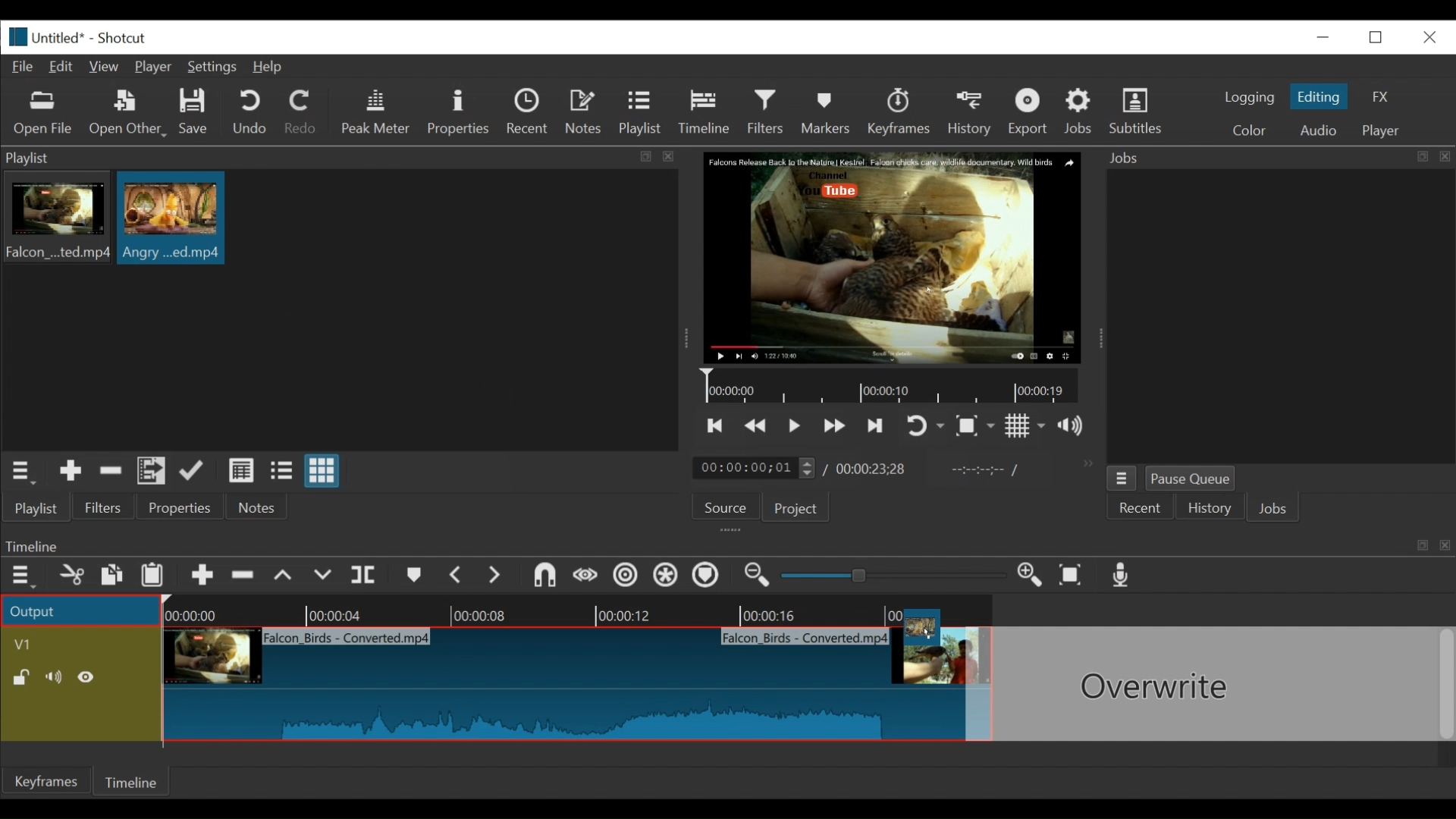 The width and height of the screenshot is (1456, 819). Describe the element at coordinates (720, 510) in the screenshot. I see `Source` at that location.